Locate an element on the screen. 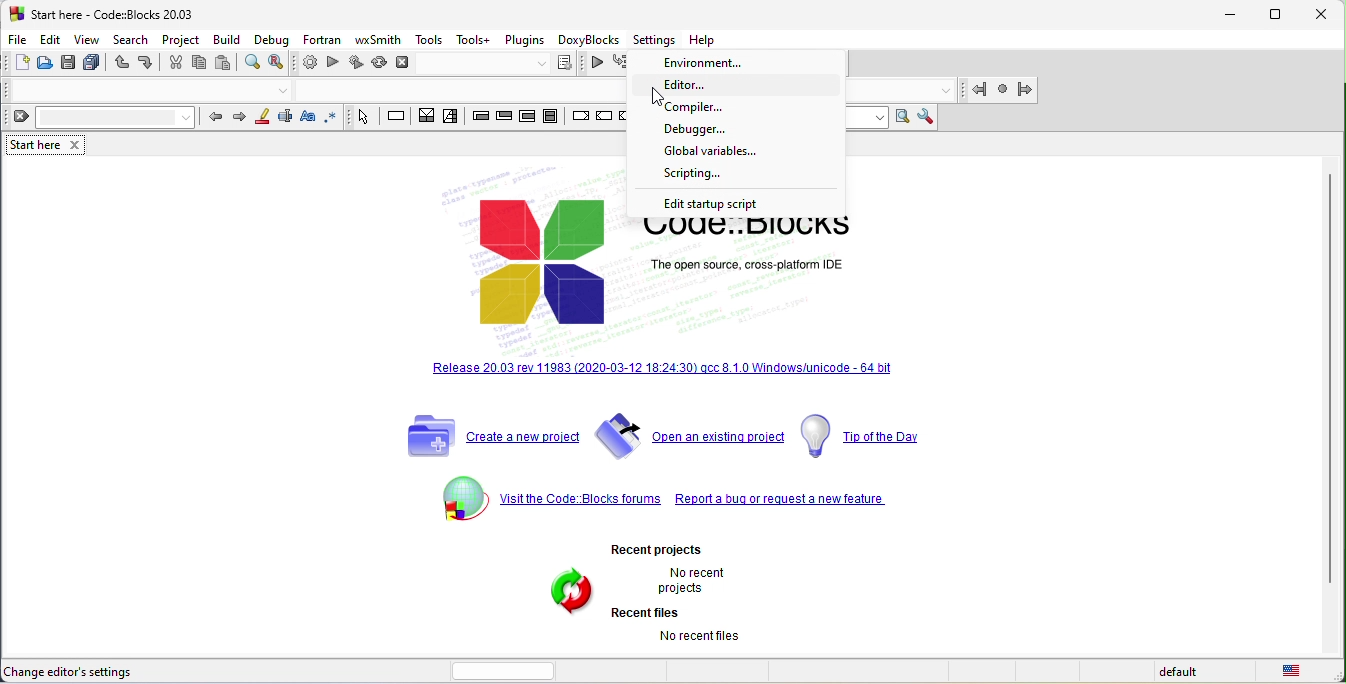  show option window is located at coordinates (927, 117).